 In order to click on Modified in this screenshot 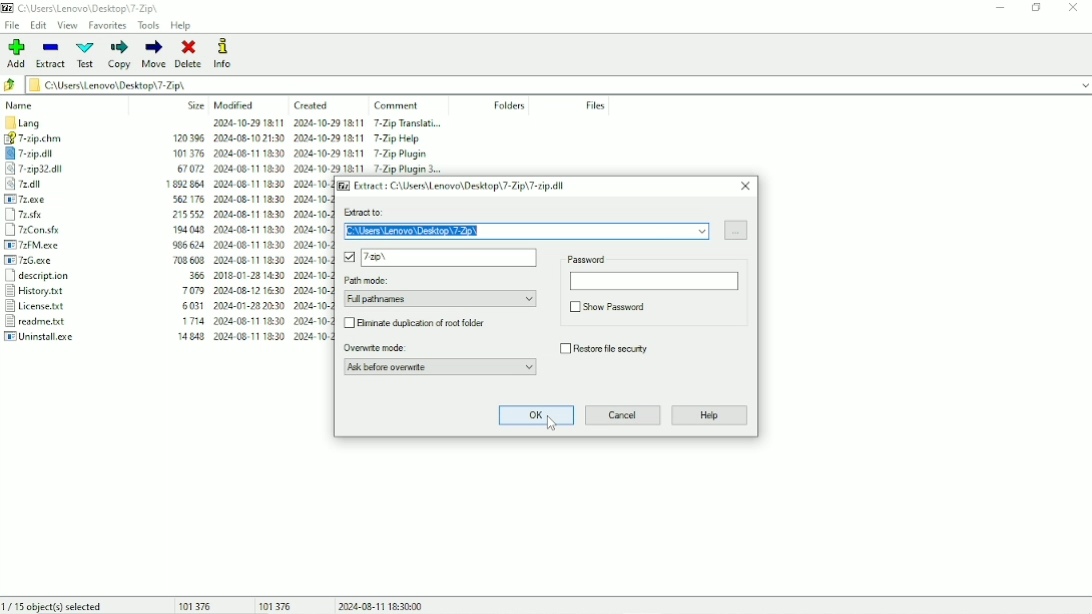, I will do `click(235, 105)`.